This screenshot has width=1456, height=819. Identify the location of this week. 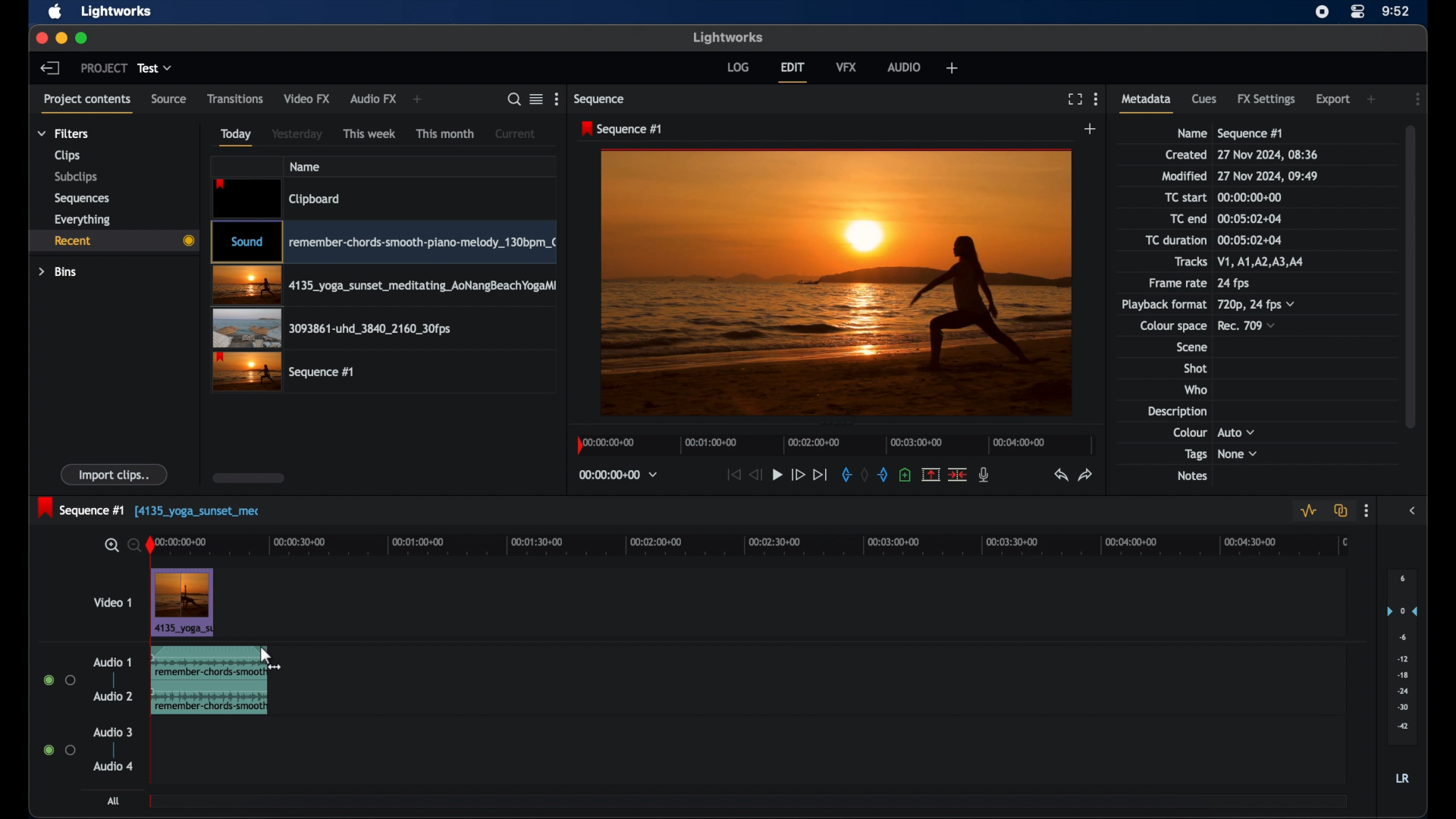
(369, 133).